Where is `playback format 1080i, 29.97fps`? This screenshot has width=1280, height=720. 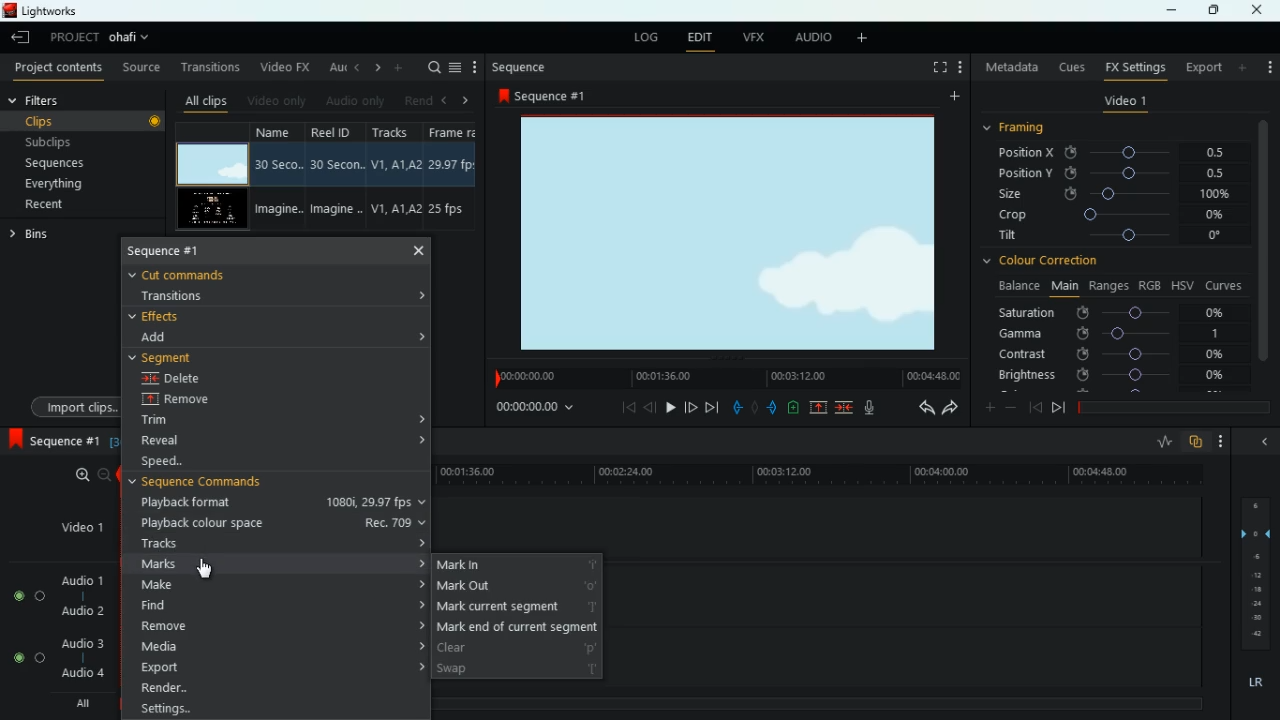
playback format 1080i, 29.97fps is located at coordinates (281, 502).